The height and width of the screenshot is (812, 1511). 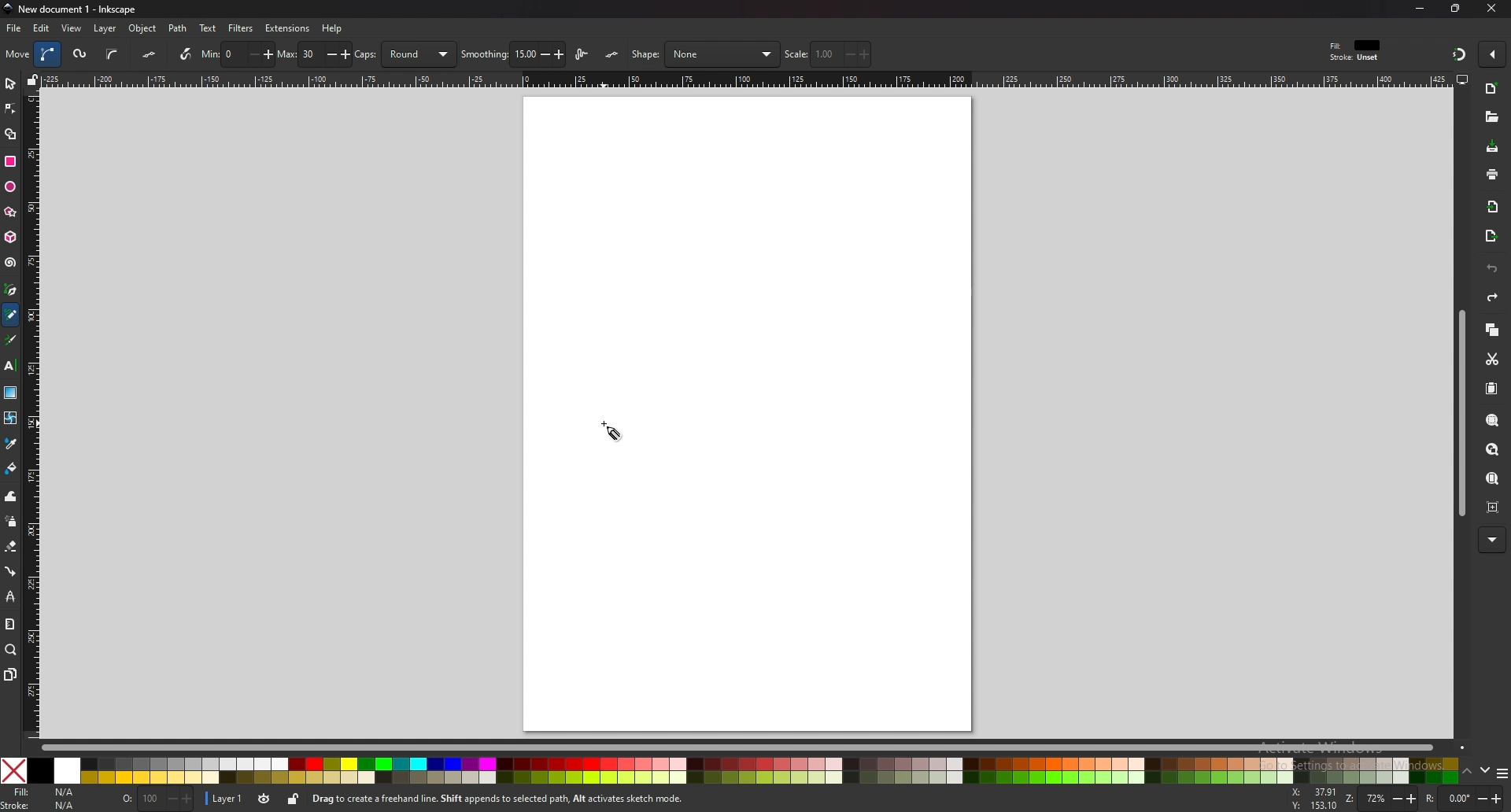 I want to click on file, so click(x=16, y=28).